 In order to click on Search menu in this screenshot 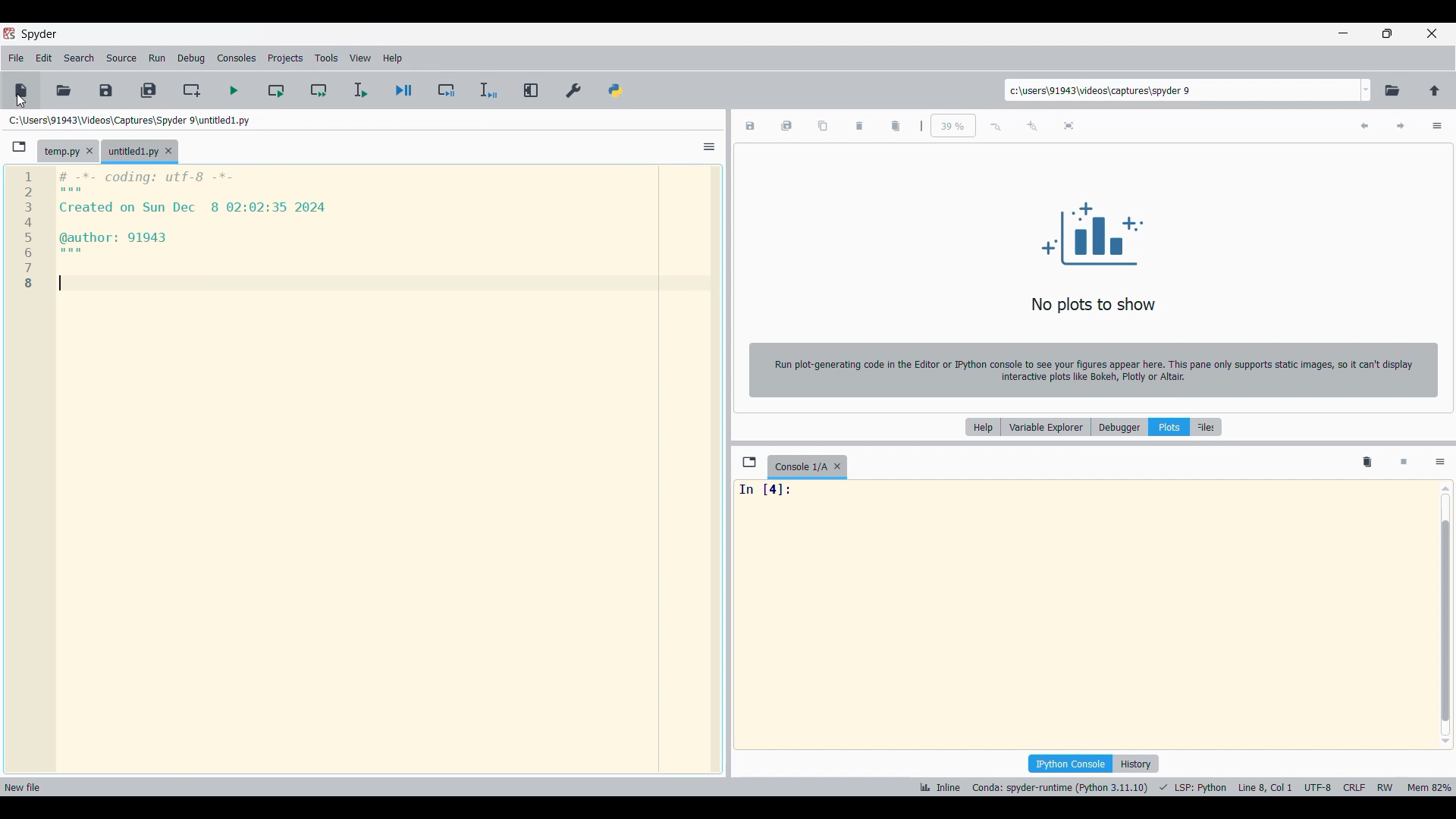, I will do `click(80, 58)`.